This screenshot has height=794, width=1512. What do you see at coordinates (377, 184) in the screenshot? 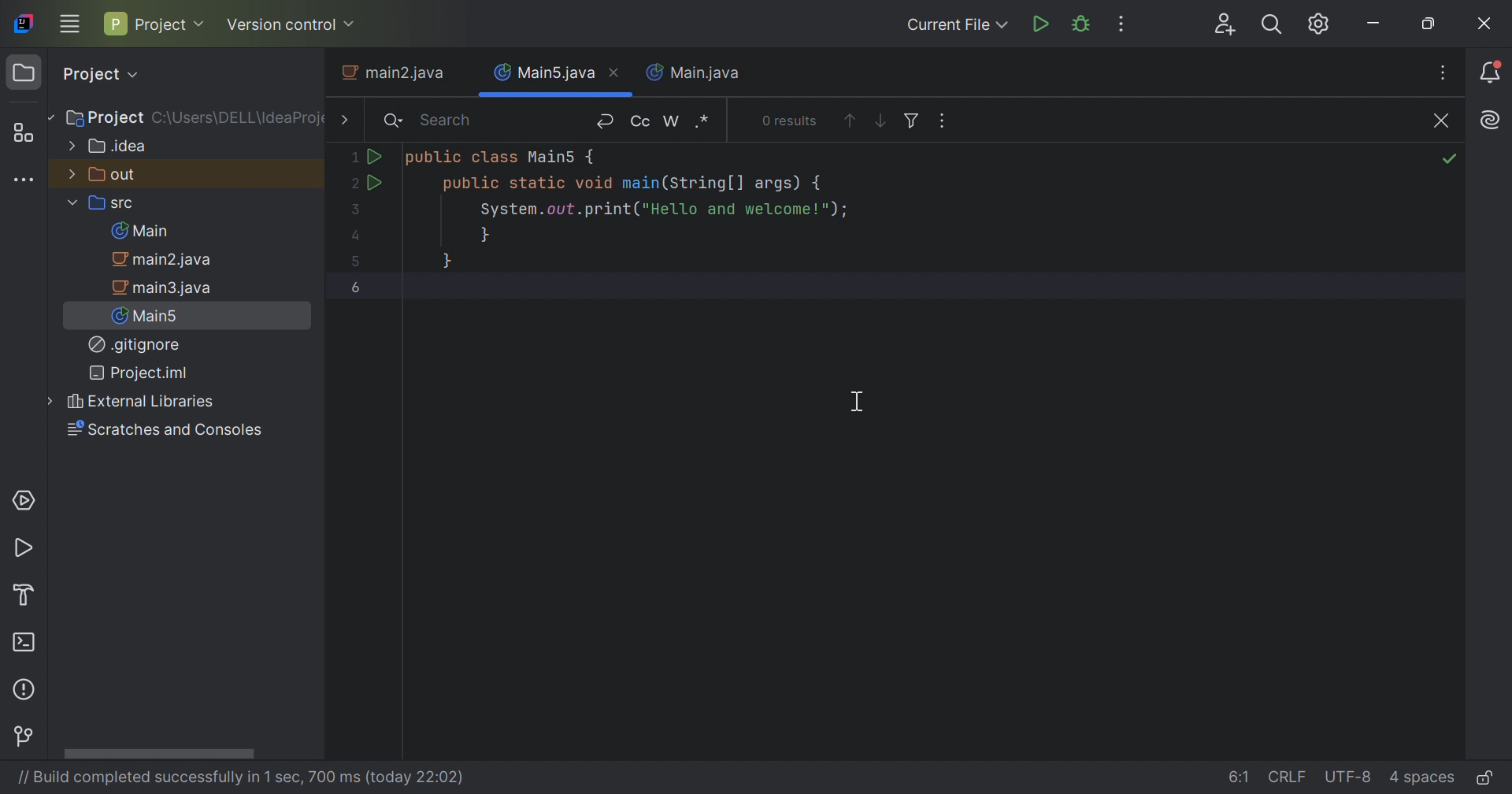
I see `Run` at bounding box center [377, 184].